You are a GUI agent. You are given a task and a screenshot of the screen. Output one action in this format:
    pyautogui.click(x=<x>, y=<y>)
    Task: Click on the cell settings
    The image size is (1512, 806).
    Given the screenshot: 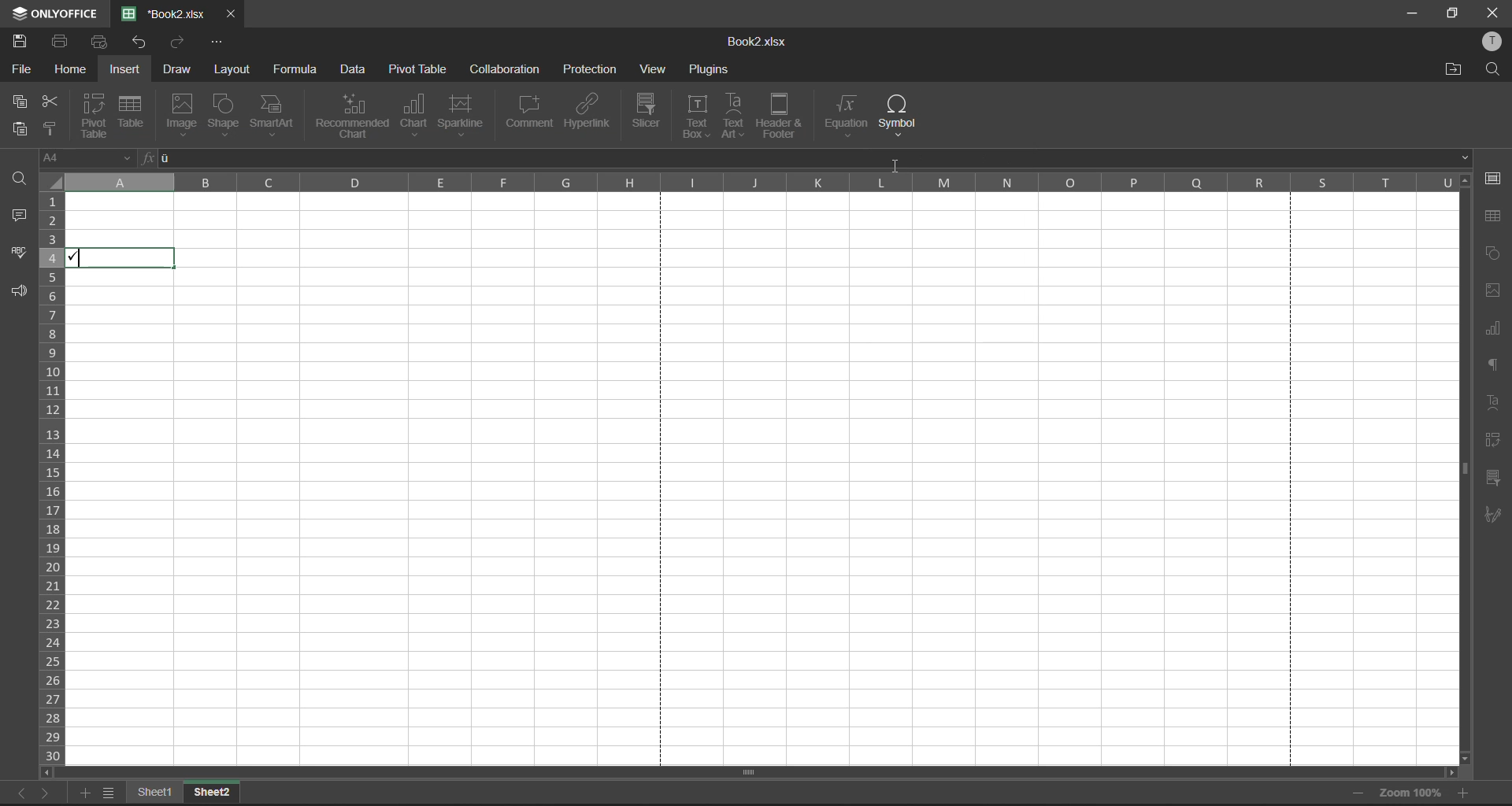 What is the action you would take?
    pyautogui.click(x=1494, y=181)
    